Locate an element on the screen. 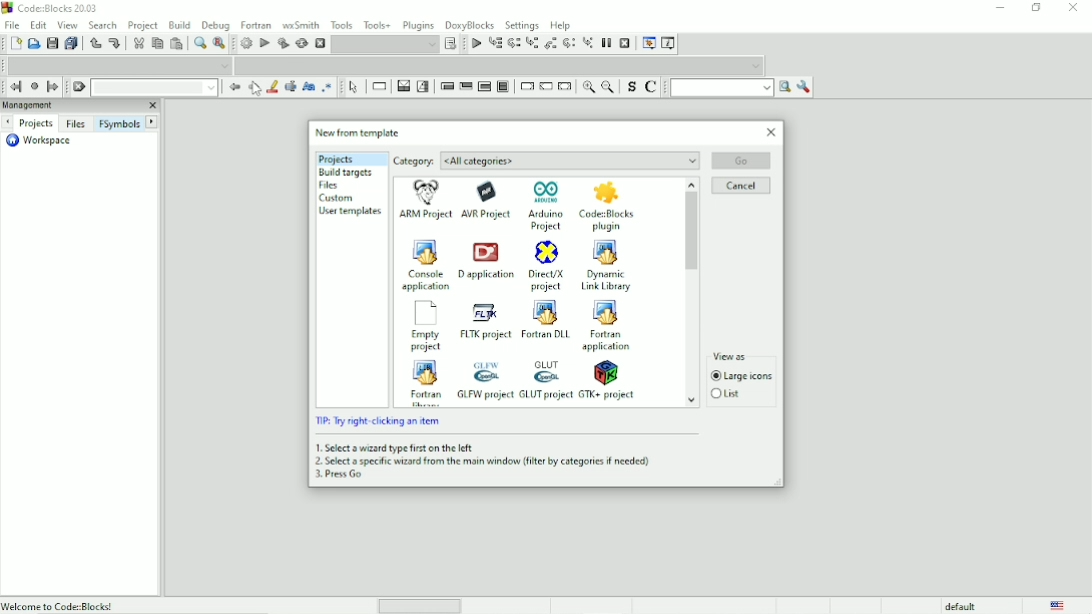 This screenshot has height=614, width=1092. Restore down is located at coordinates (1037, 8).